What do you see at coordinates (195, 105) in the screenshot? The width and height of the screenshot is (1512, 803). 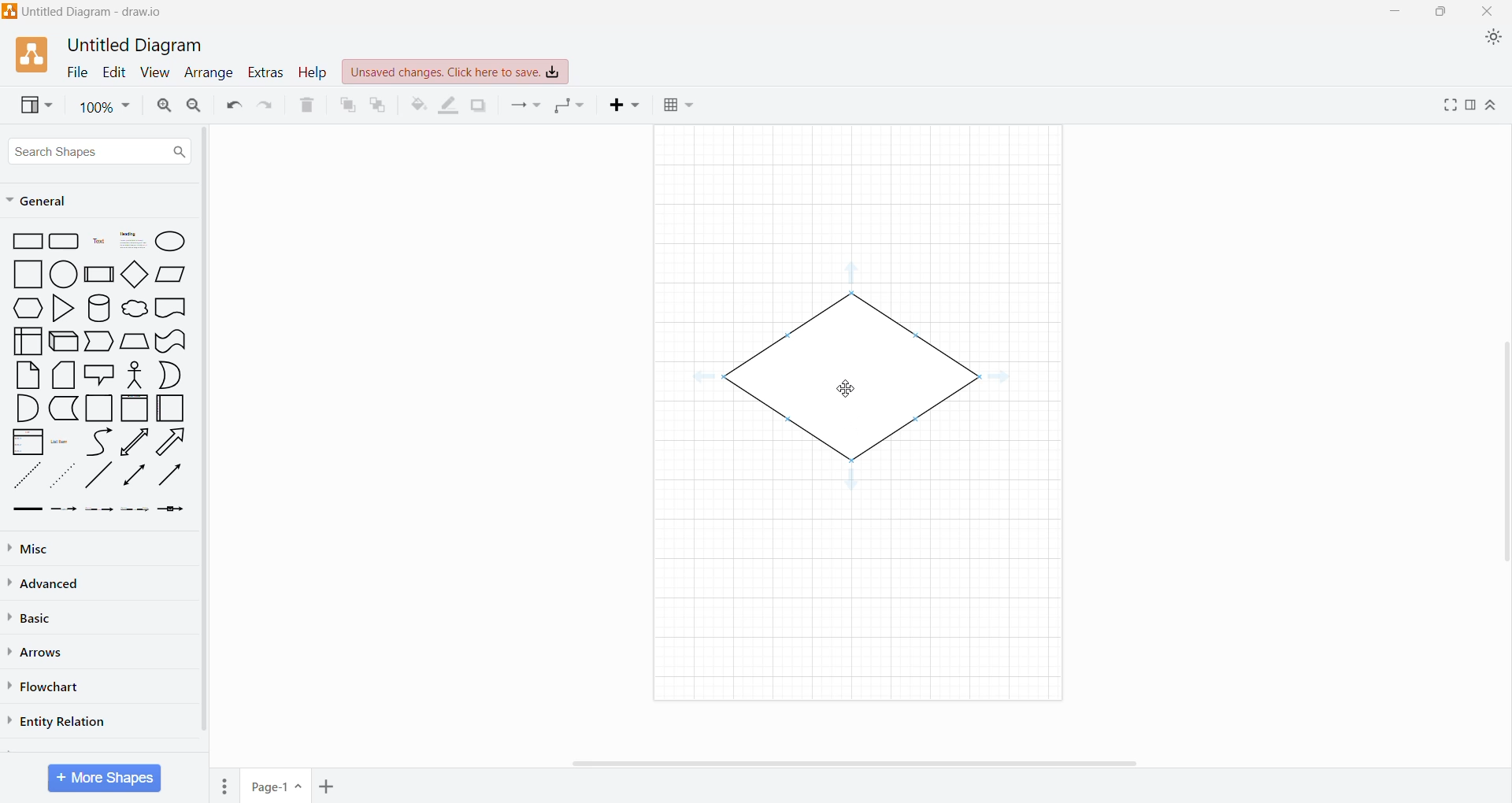 I see `Zoom Out` at bounding box center [195, 105].